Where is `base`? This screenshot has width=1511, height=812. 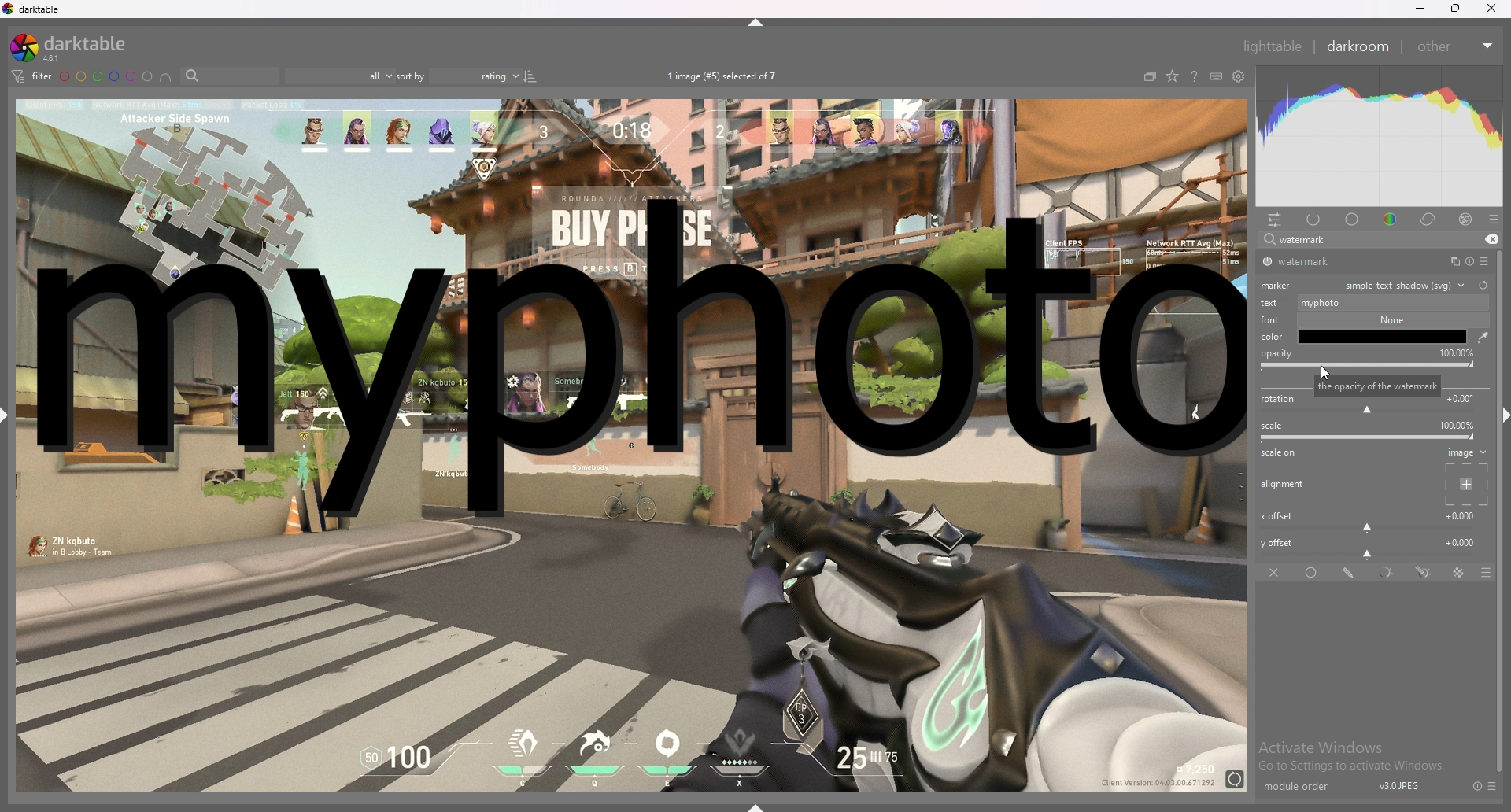
base is located at coordinates (1353, 220).